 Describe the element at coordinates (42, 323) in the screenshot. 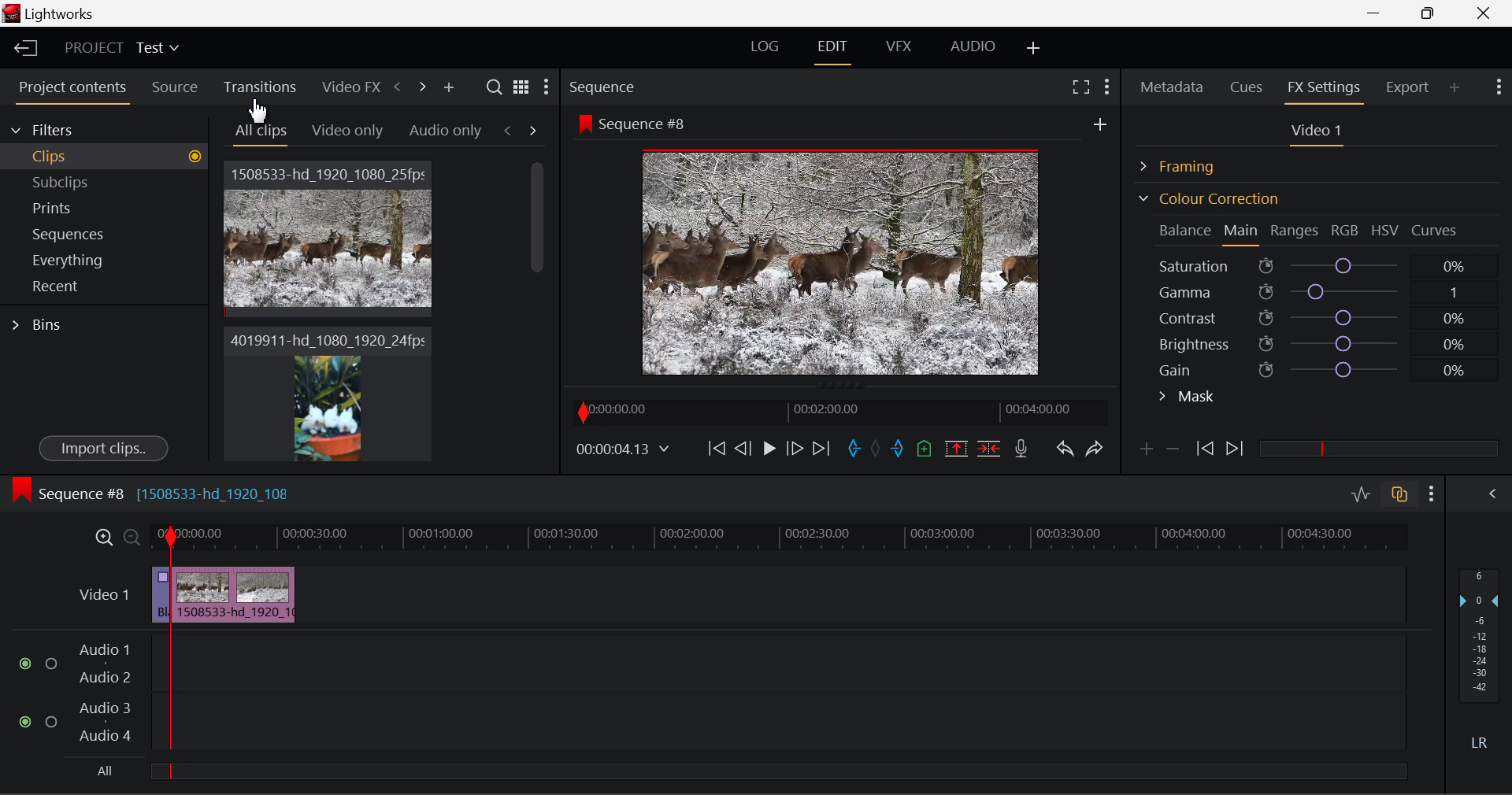

I see `Bins` at that location.